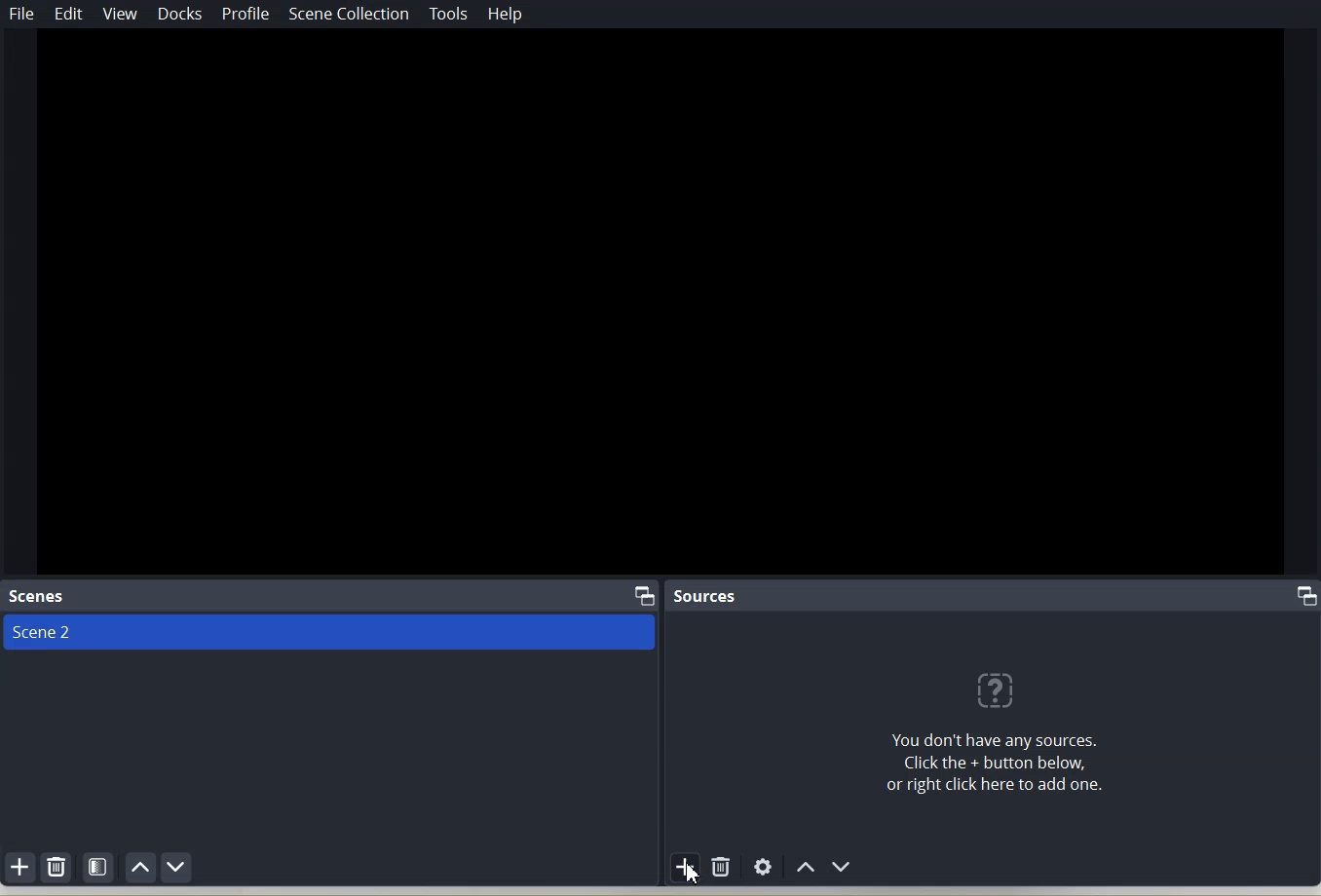  What do you see at coordinates (989, 734) in the screenshot?
I see `You don't have any sources.
Click the + button below,
or right click here to add one.` at bounding box center [989, 734].